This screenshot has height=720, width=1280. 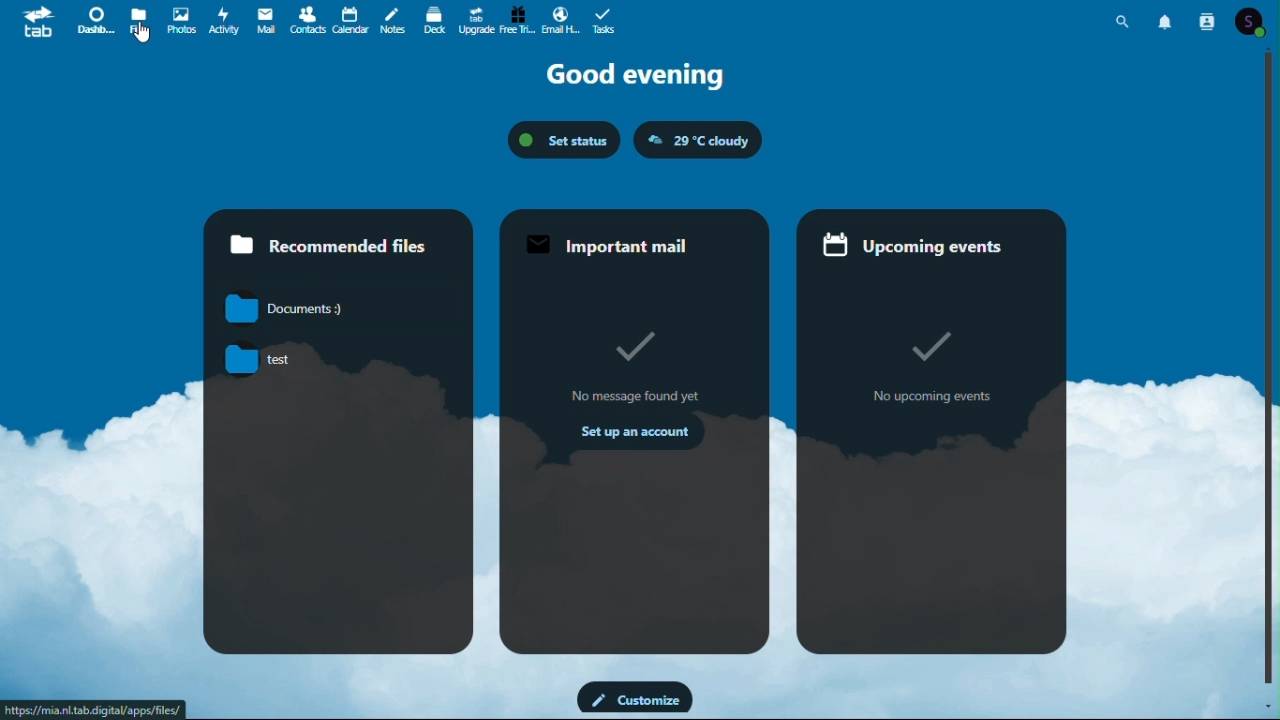 I want to click on files, so click(x=138, y=23).